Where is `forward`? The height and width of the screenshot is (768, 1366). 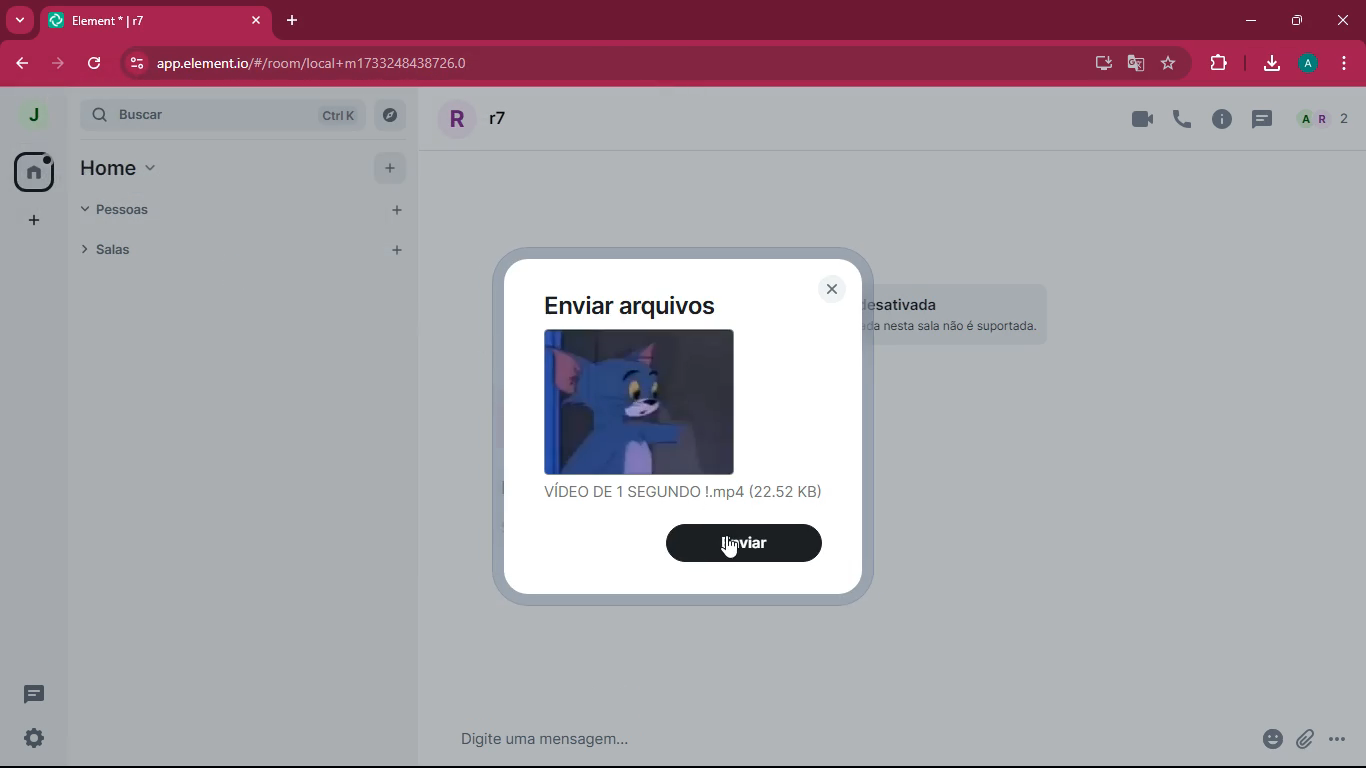
forward is located at coordinates (54, 64).